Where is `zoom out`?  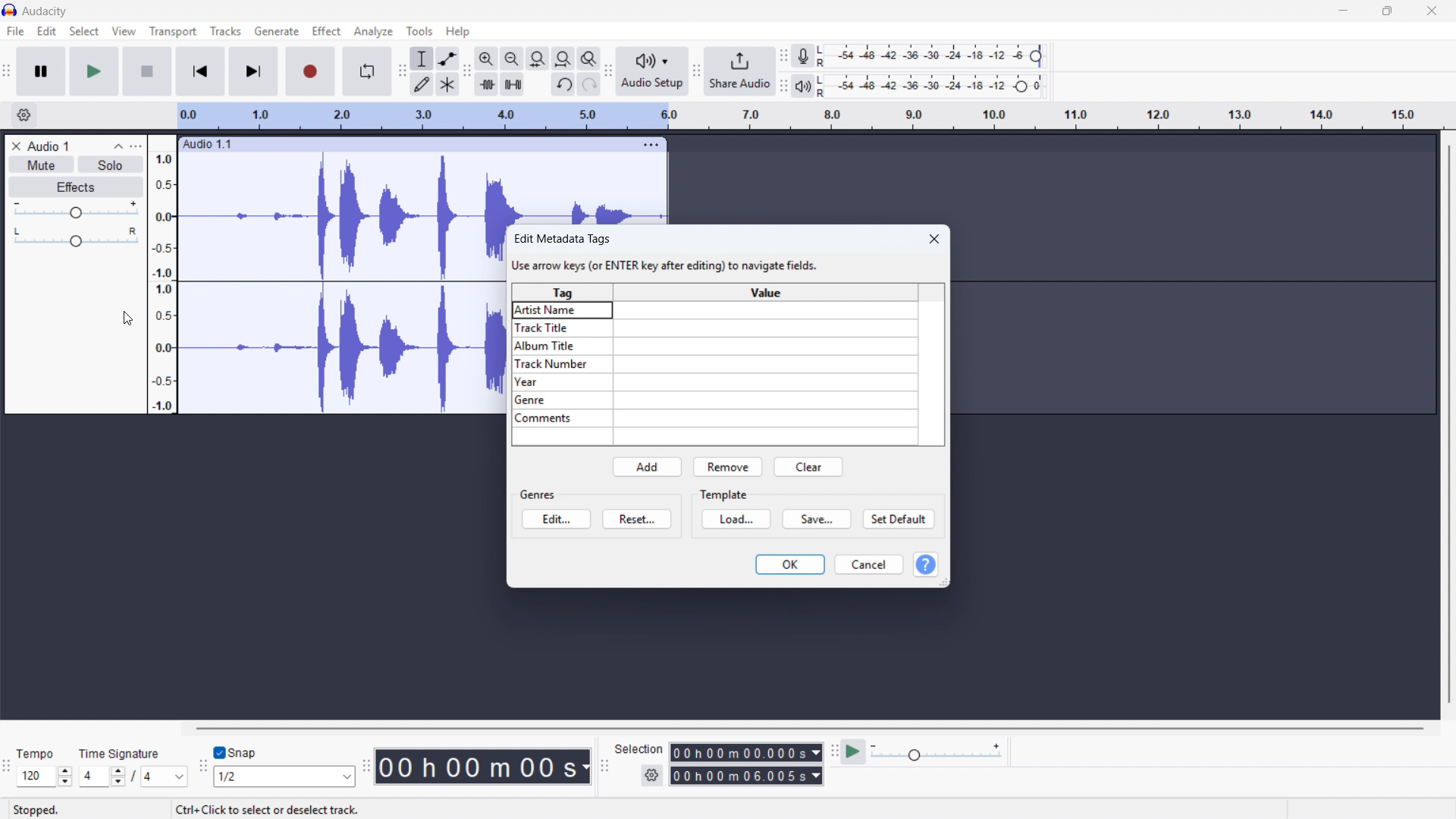 zoom out is located at coordinates (513, 58).